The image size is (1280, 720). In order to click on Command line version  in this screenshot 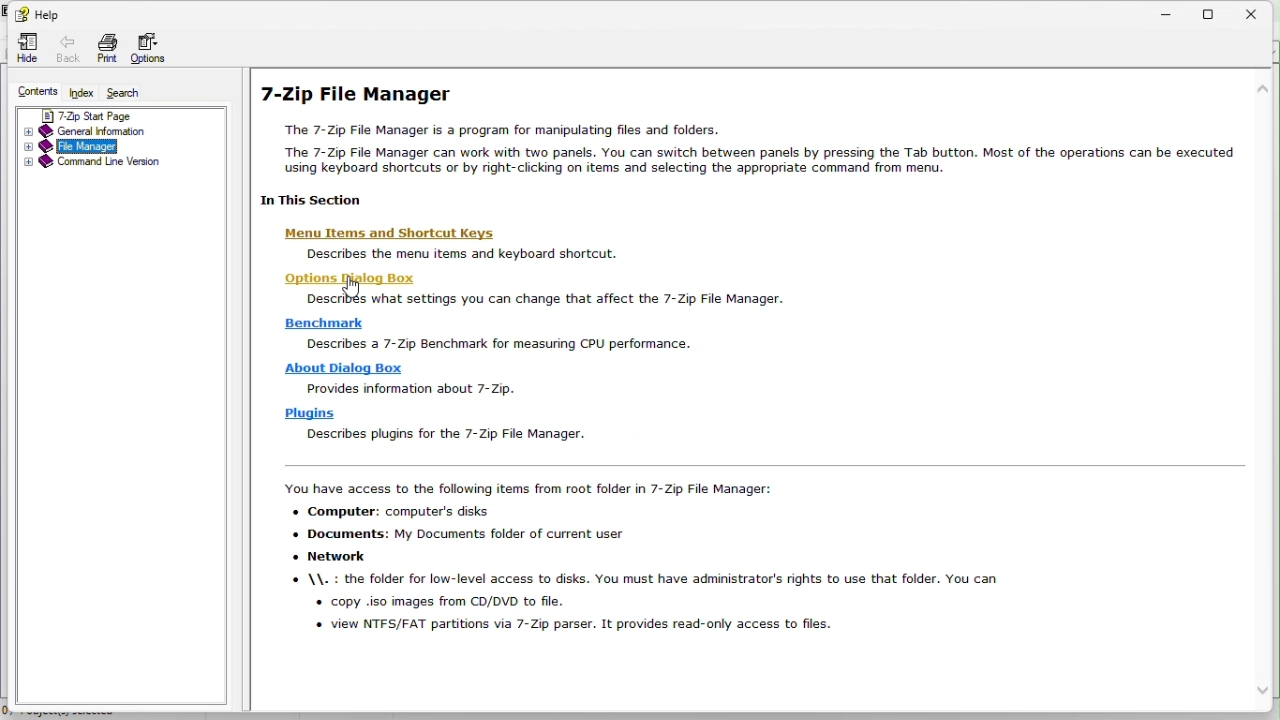, I will do `click(90, 165)`.